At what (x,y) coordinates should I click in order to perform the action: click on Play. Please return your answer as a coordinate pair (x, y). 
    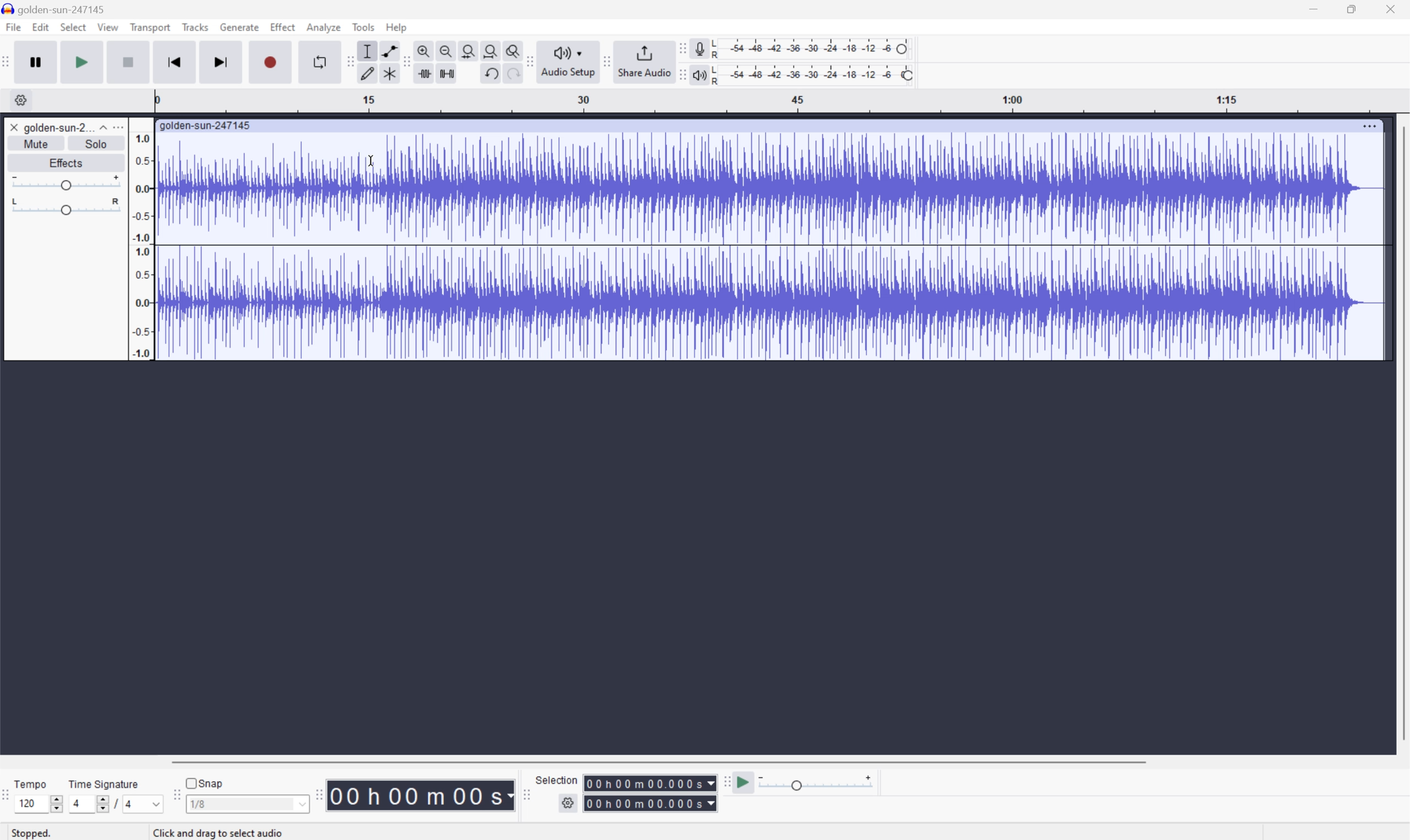
    Looking at the image, I should click on (83, 62).